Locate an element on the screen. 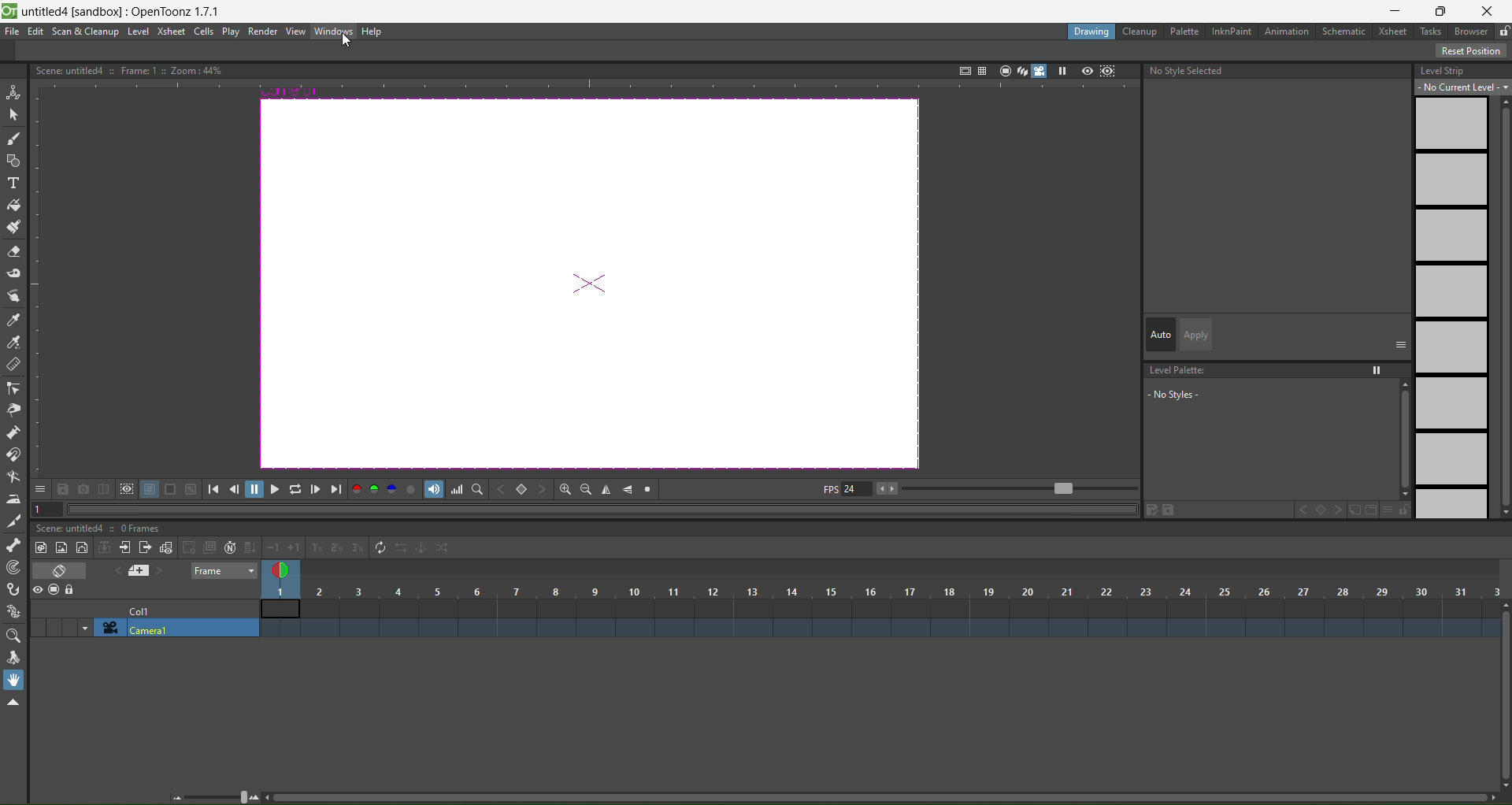  zoom  is located at coordinates (217, 796).